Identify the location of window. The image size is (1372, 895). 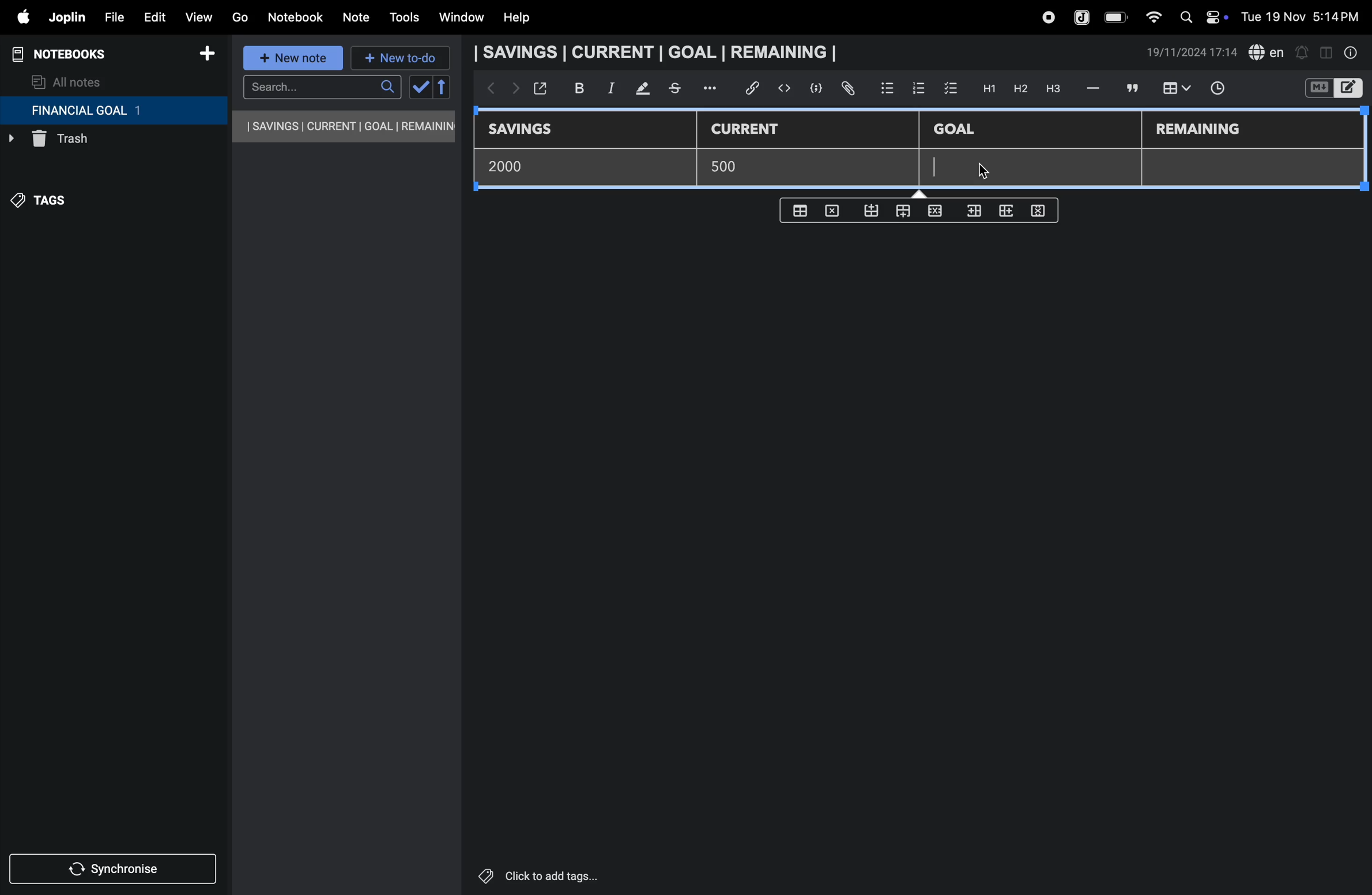
(460, 18).